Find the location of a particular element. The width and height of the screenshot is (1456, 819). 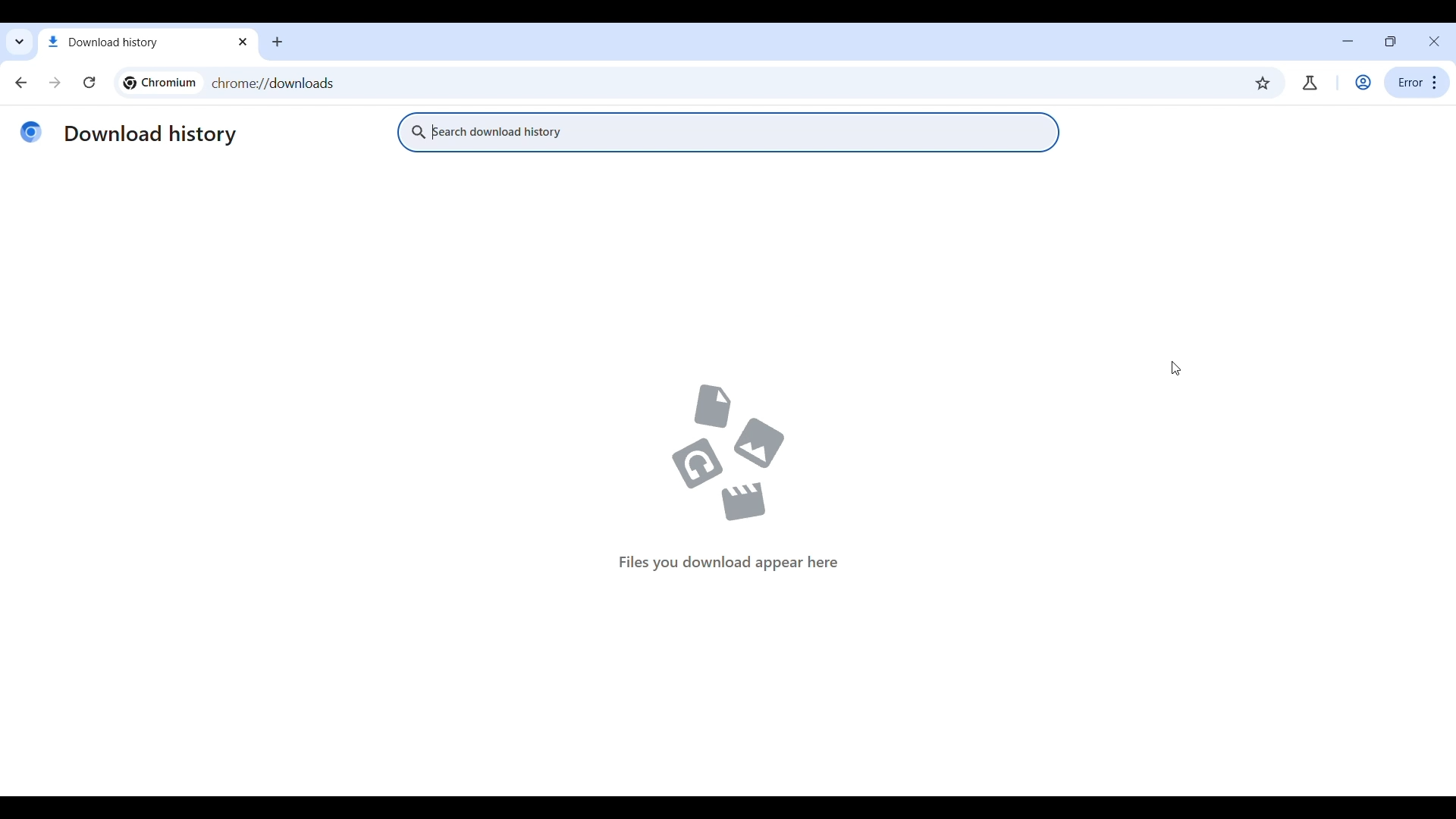

Account is located at coordinates (1362, 83).